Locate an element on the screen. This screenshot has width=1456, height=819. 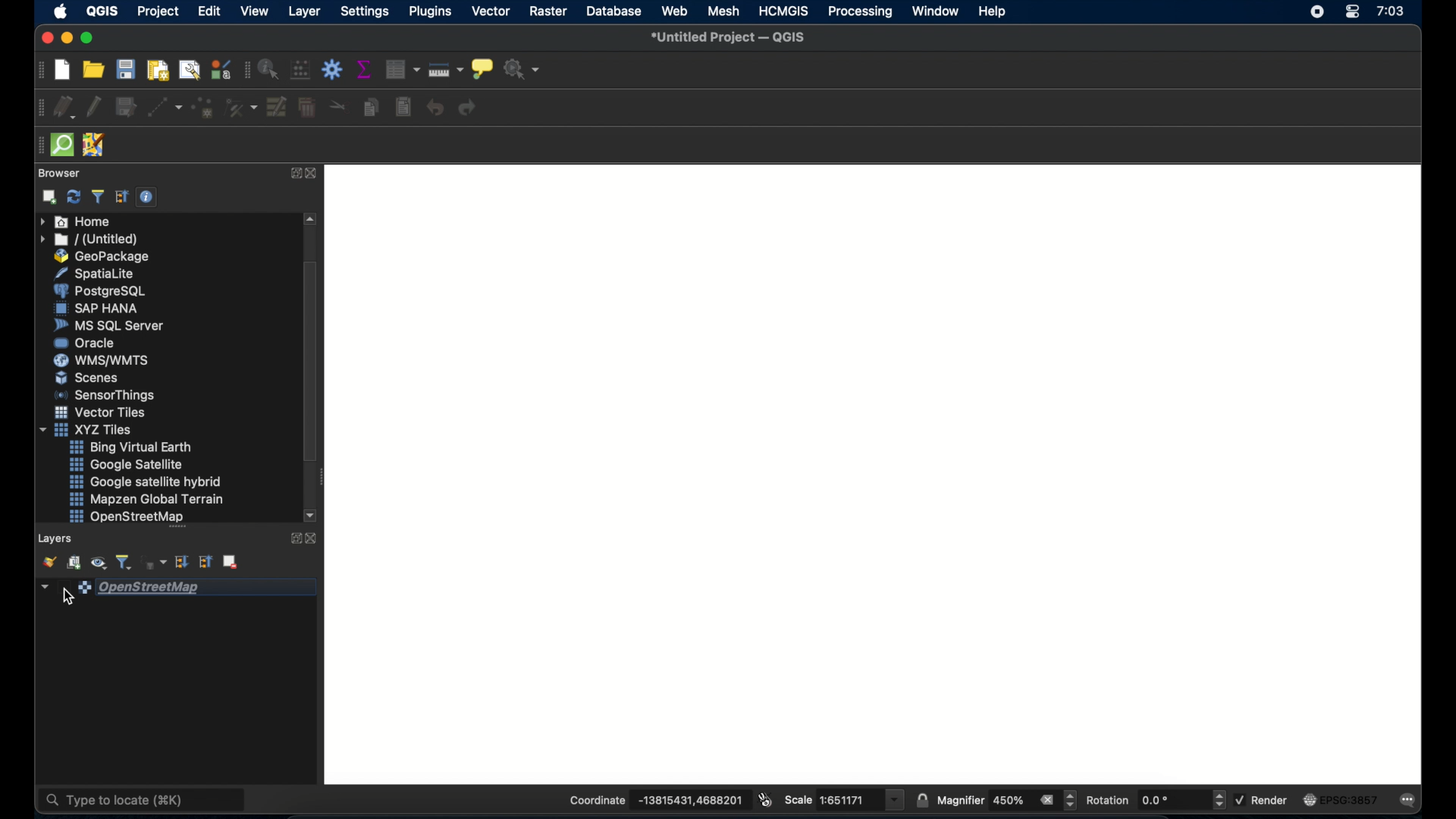
filter legend is located at coordinates (124, 562).